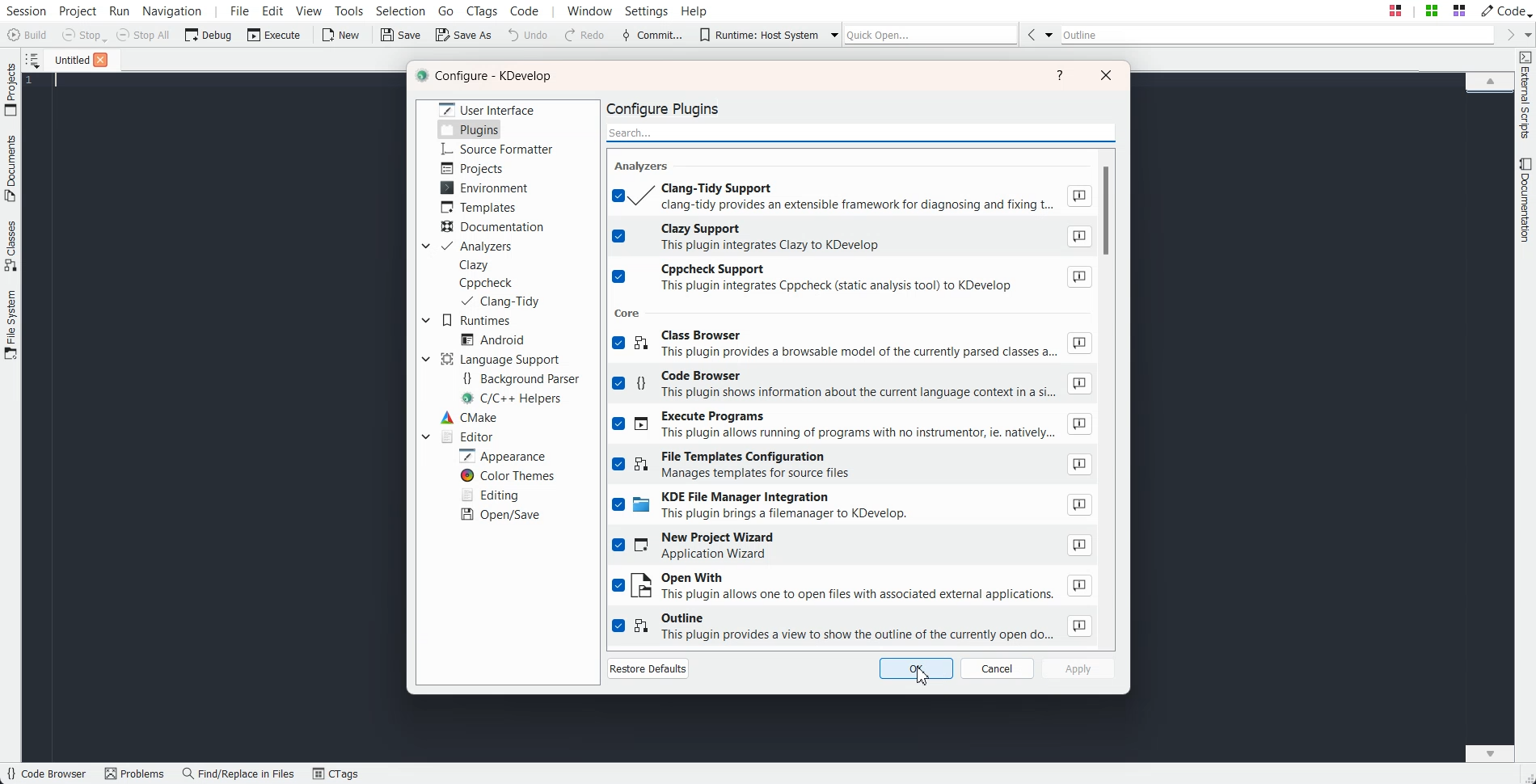 The image size is (1536, 784). What do you see at coordinates (1080, 424) in the screenshot?
I see `About` at bounding box center [1080, 424].